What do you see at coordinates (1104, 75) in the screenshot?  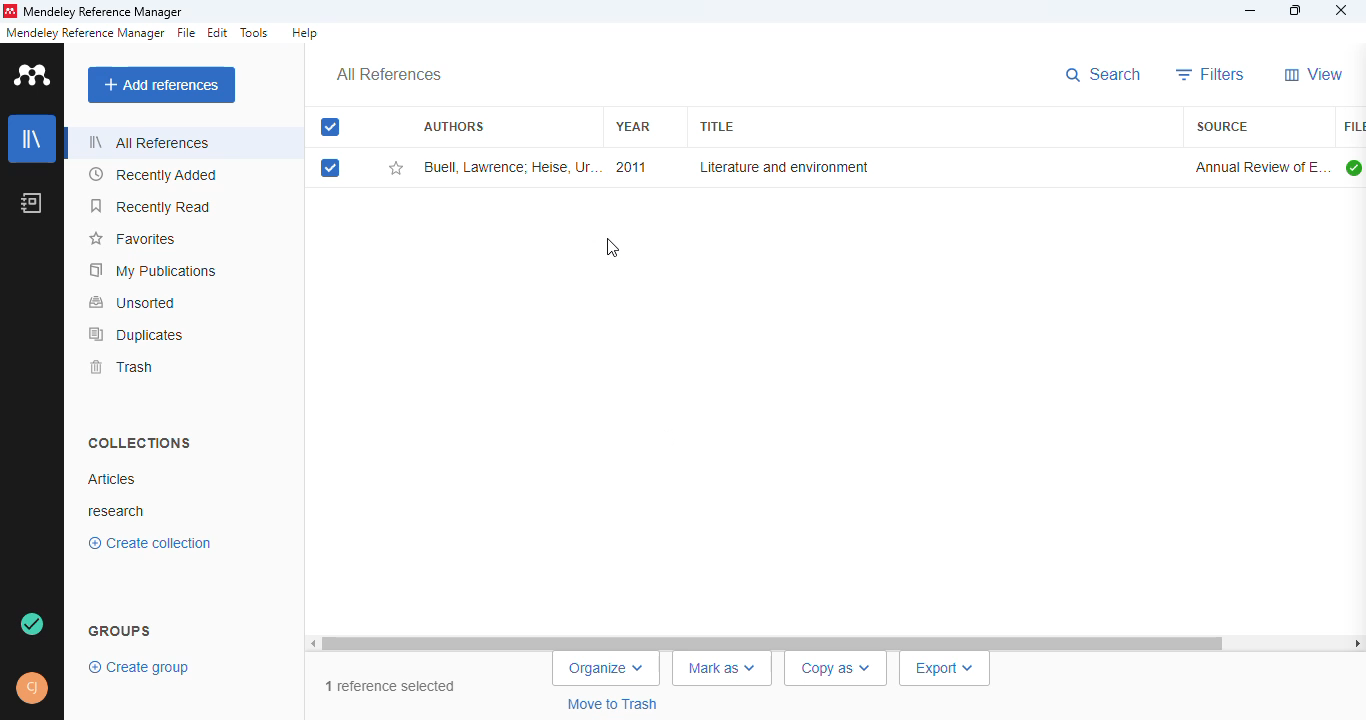 I see `search` at bounding box center [1104, 75].